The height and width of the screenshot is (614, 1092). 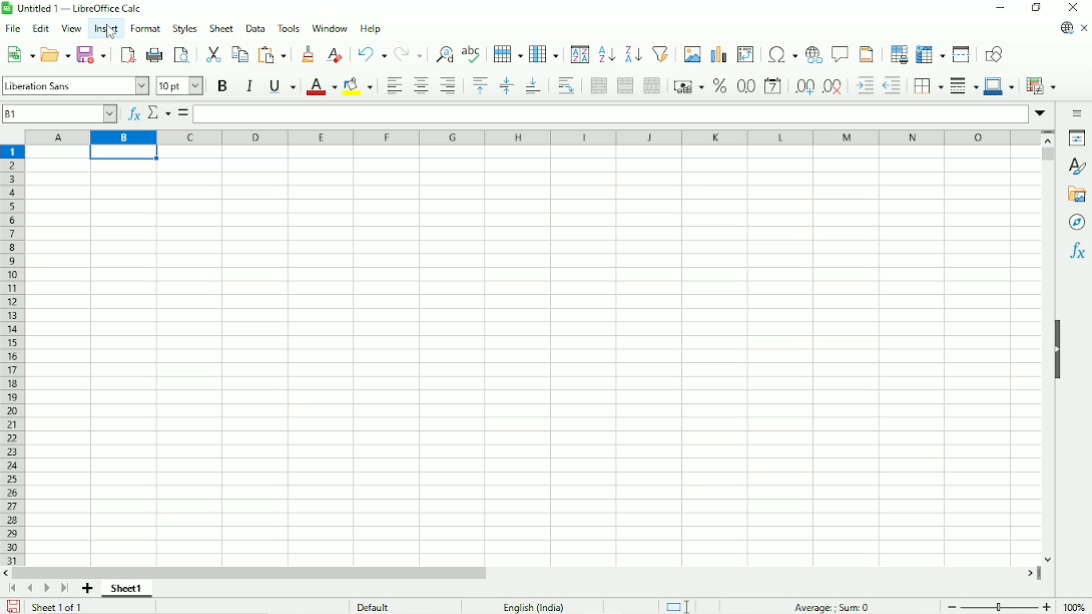 I want to click on Show/hide, so click(x=1059, y=348).